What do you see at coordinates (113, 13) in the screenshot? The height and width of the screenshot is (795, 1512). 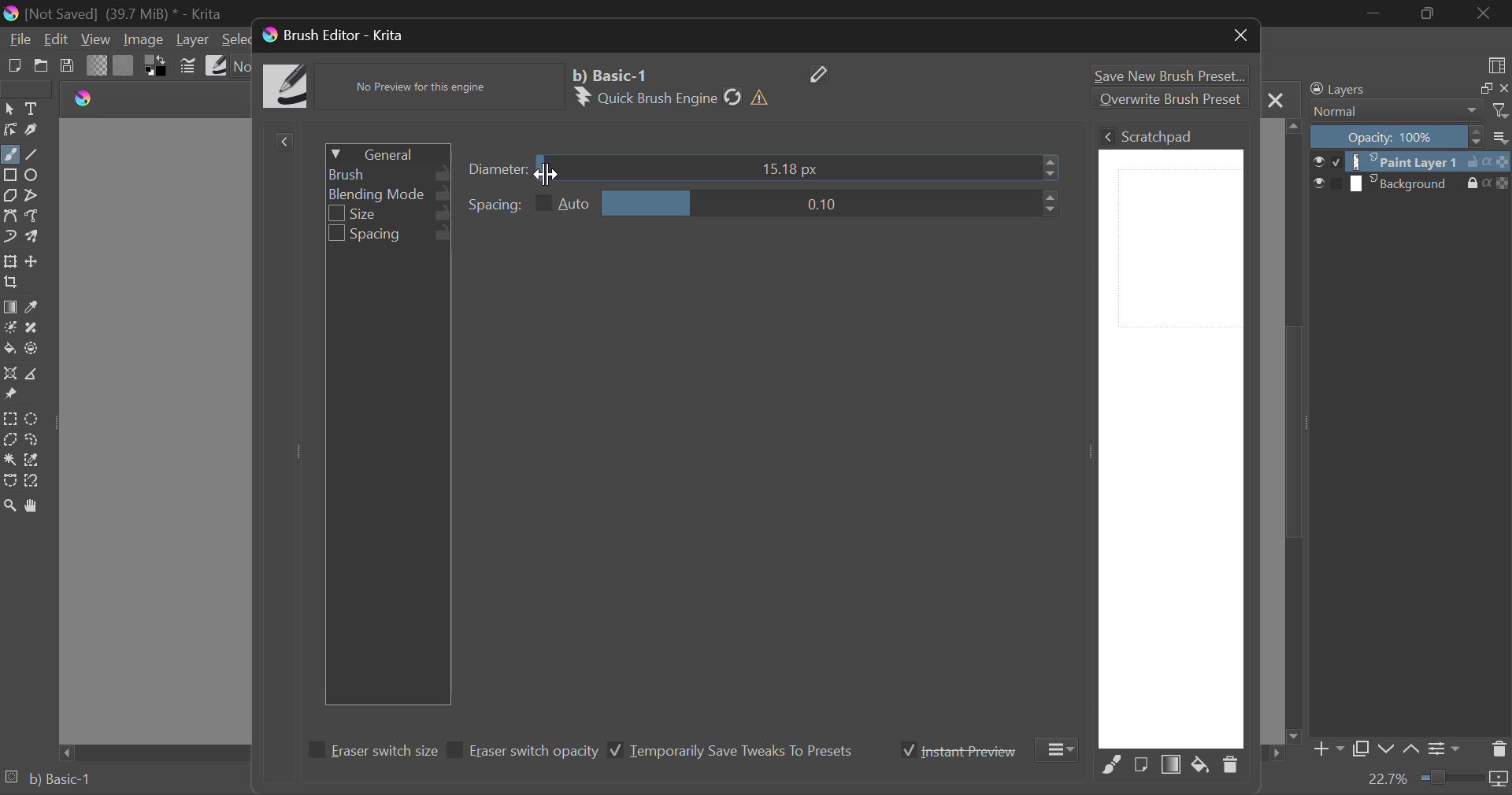 I see `(Not Saved) (39,7 MB)* -Krita` at bounding box center [113, 13].